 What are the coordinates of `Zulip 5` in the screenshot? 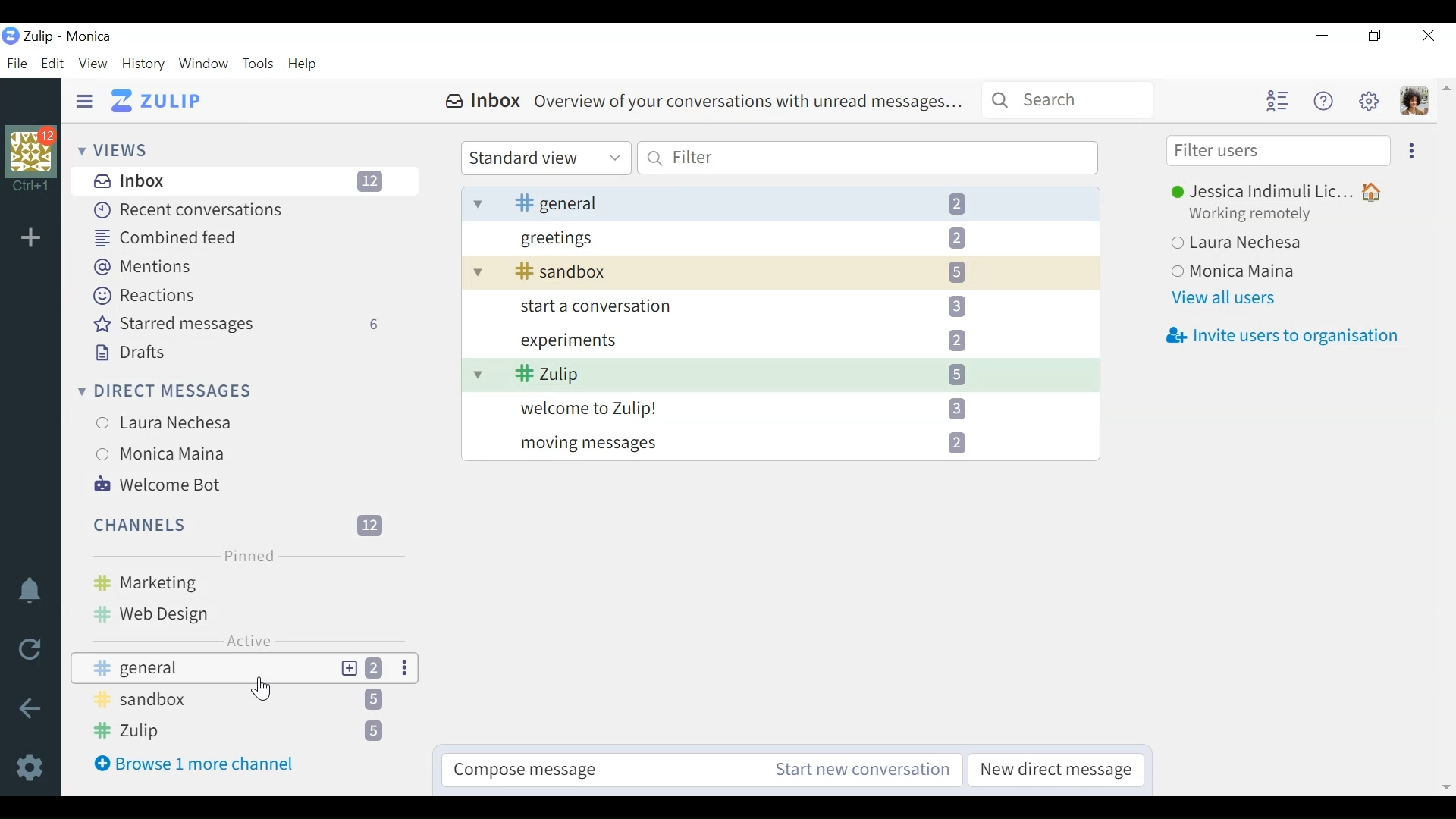 It's located at (240, 732).